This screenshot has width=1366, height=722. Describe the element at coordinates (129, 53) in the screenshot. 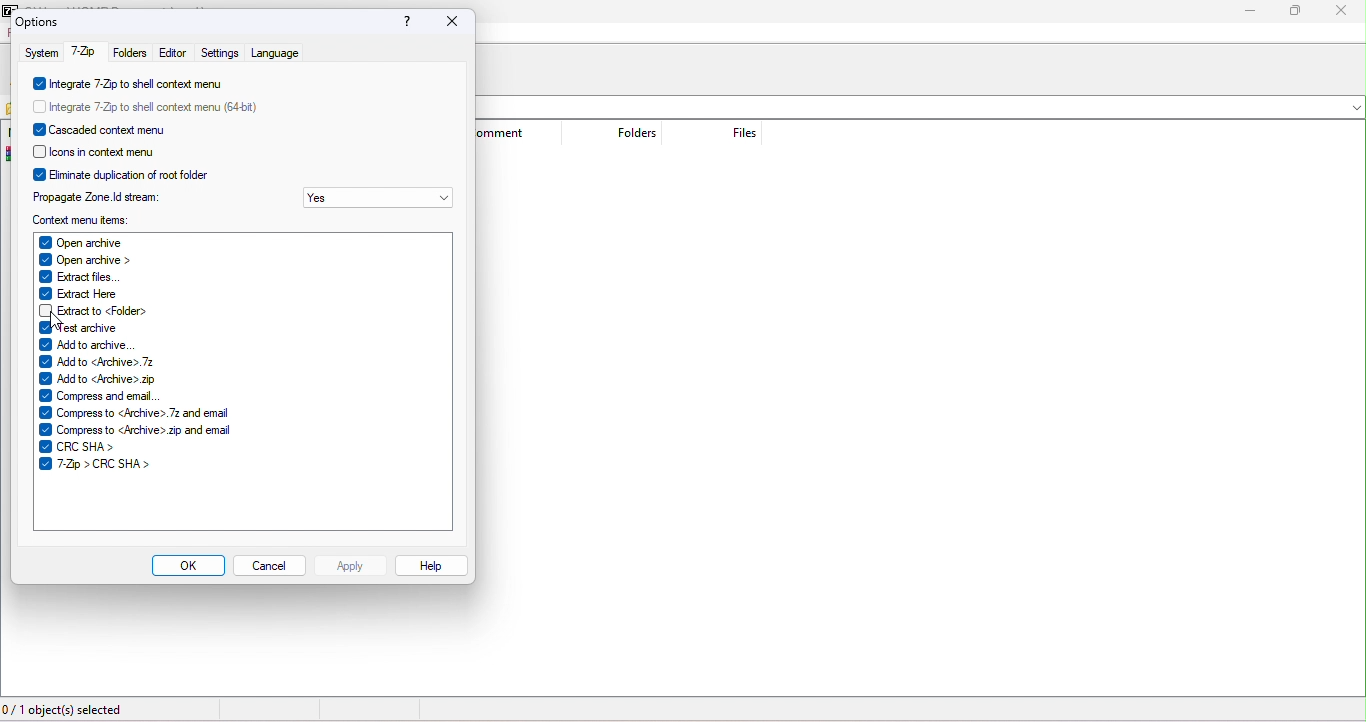

I see `folders` at that location.